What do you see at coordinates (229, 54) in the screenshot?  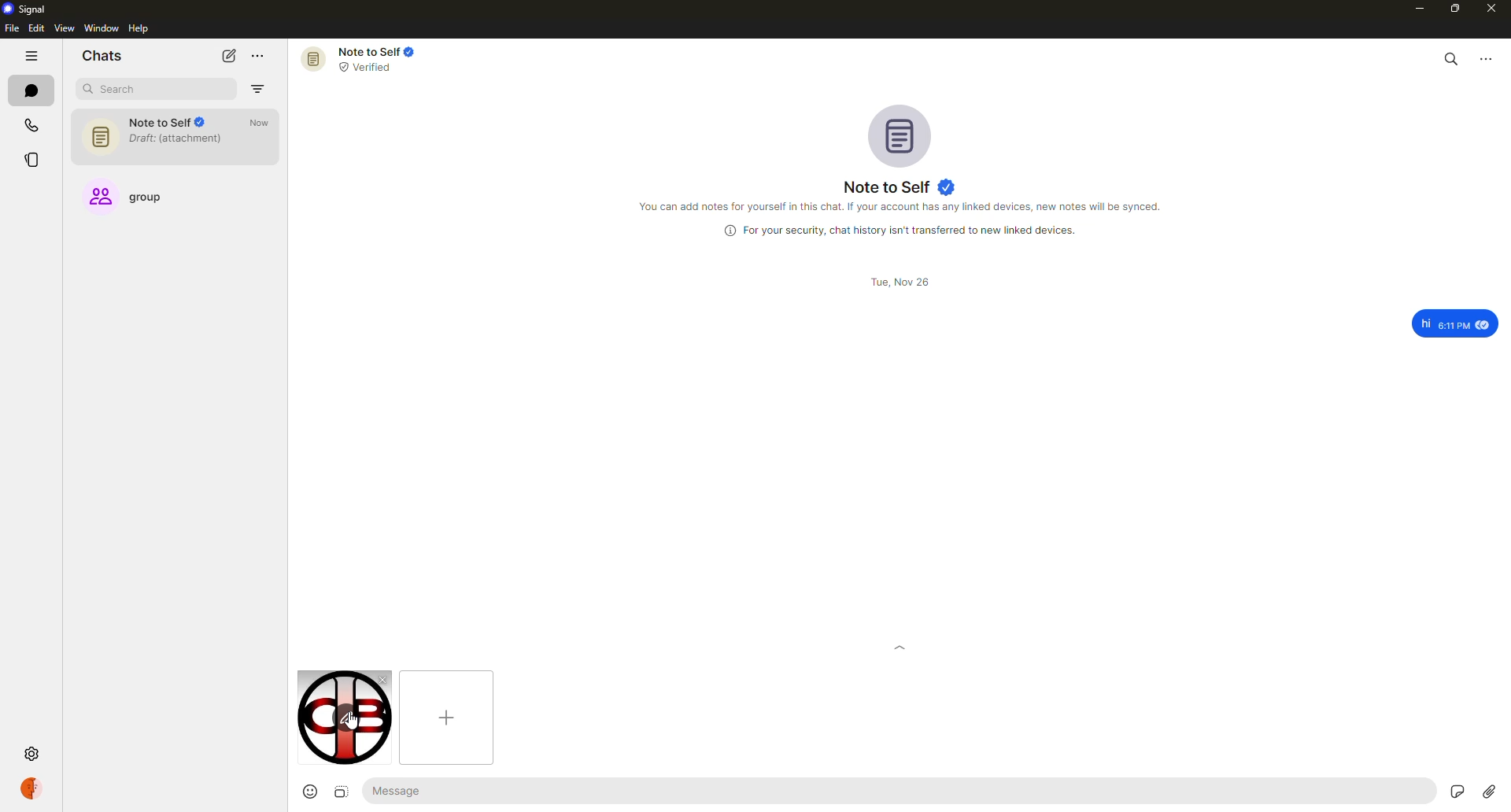 I see `new chat` at bounding box center [229, 54].